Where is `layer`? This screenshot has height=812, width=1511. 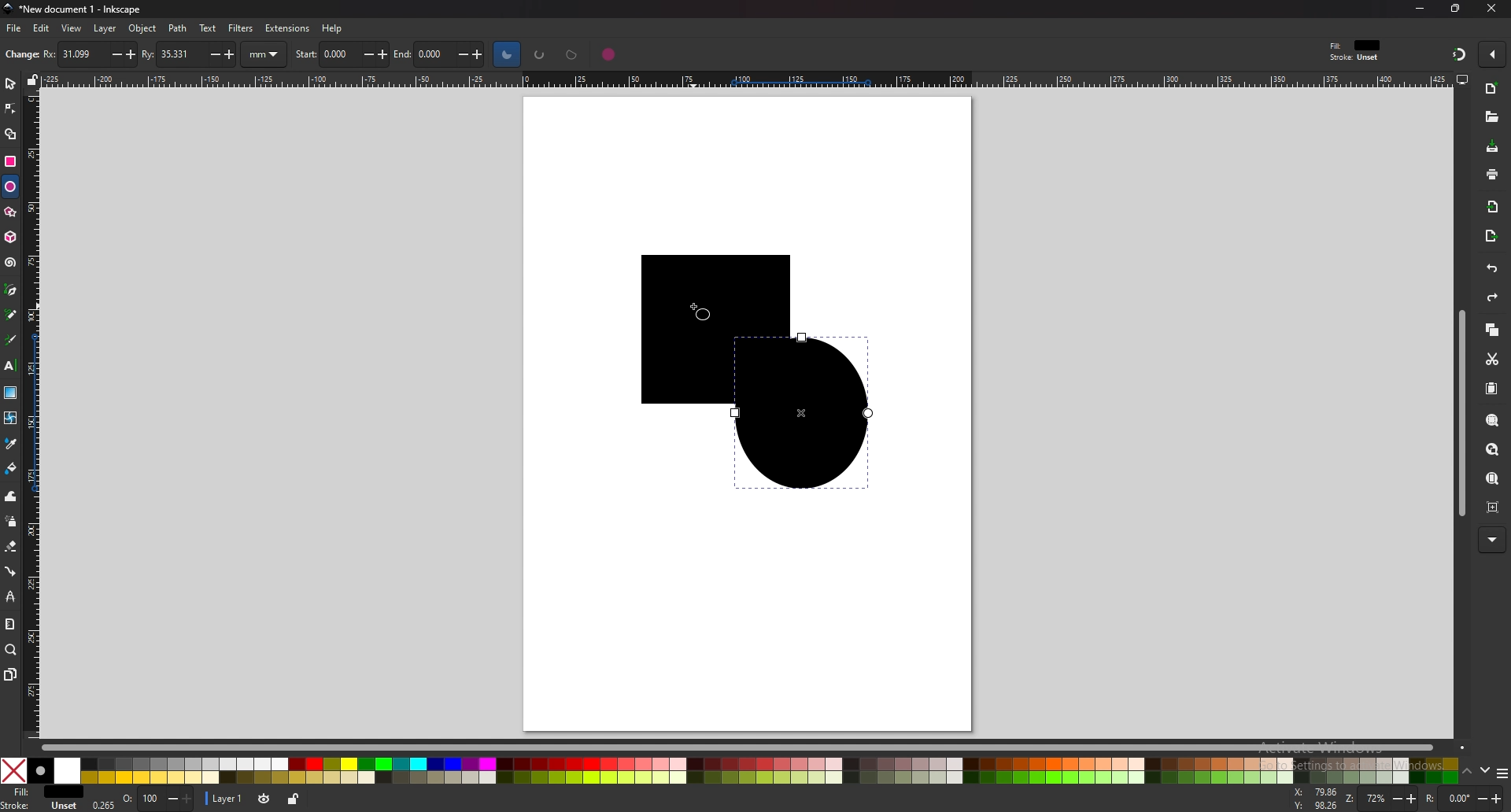
layer is located at coordinates (226, 799).